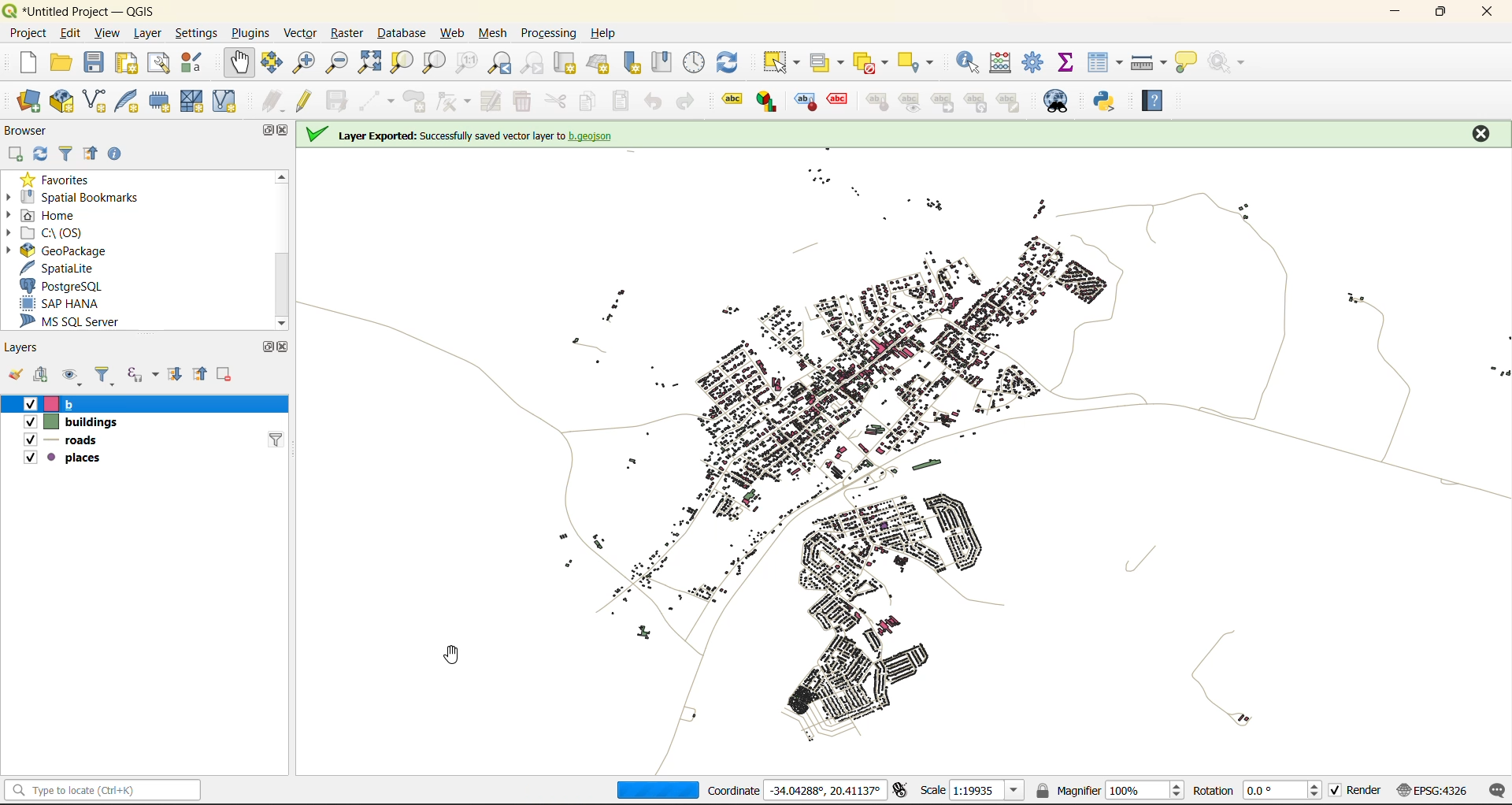 The width and height of the screenshot is (1512, 805). What do you see at coordinates (276, 448) in the screenshot?
I see `filter` at bounding box center [276, 448].